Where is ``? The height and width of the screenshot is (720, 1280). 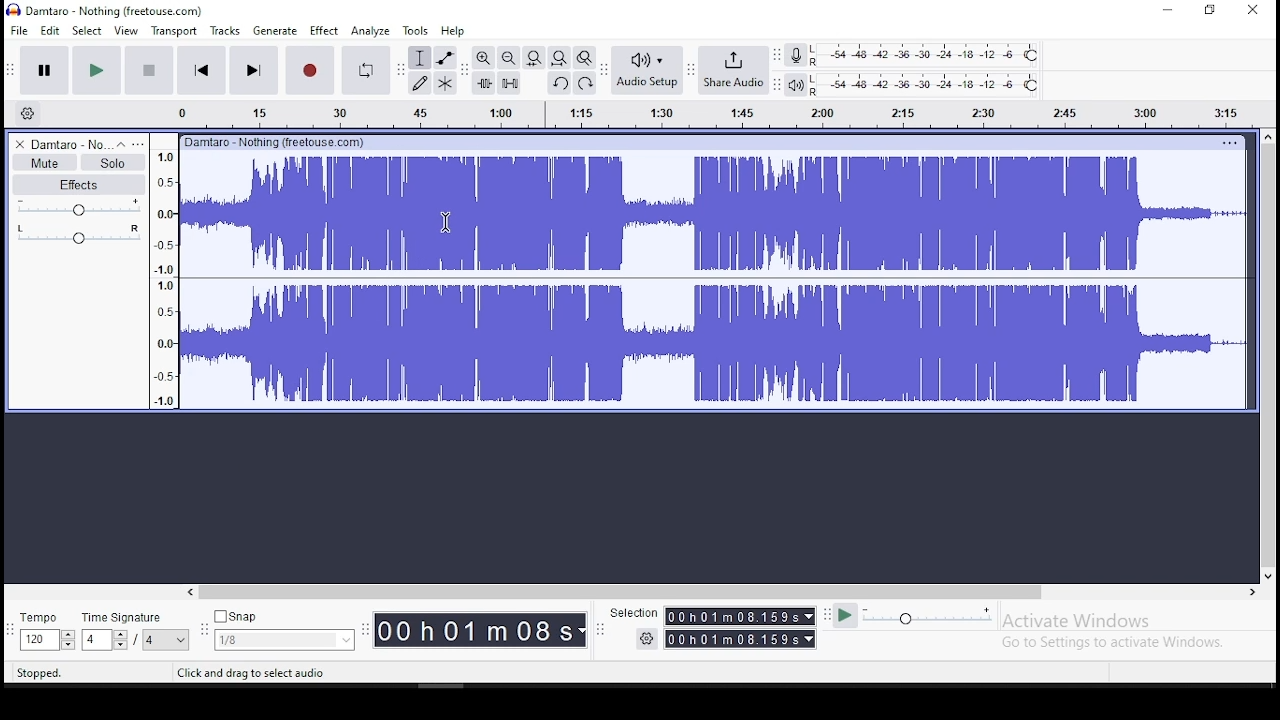  is located at coordinates (201, 629).